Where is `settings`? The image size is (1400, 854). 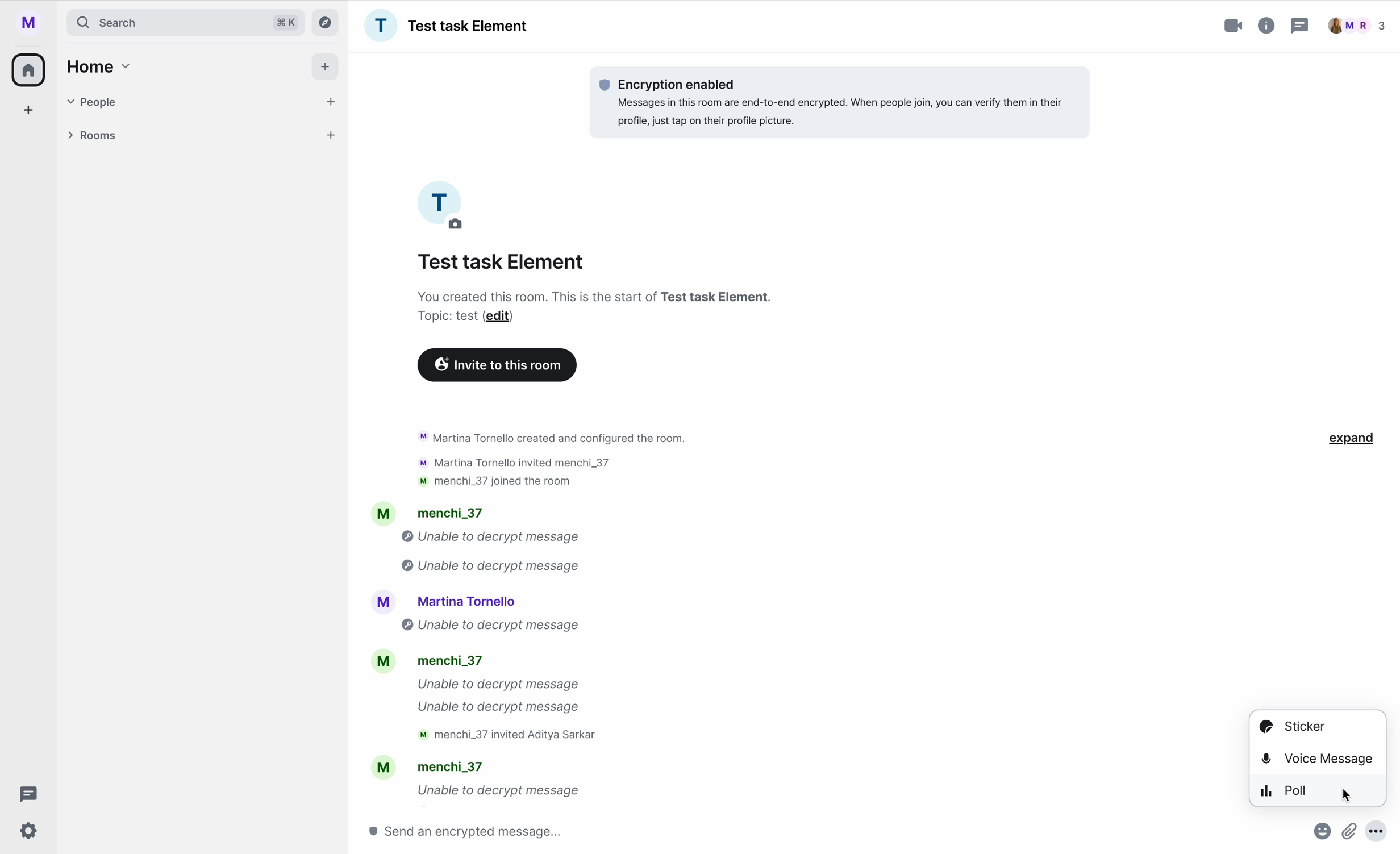
settings is located at coordinates (30, 832).